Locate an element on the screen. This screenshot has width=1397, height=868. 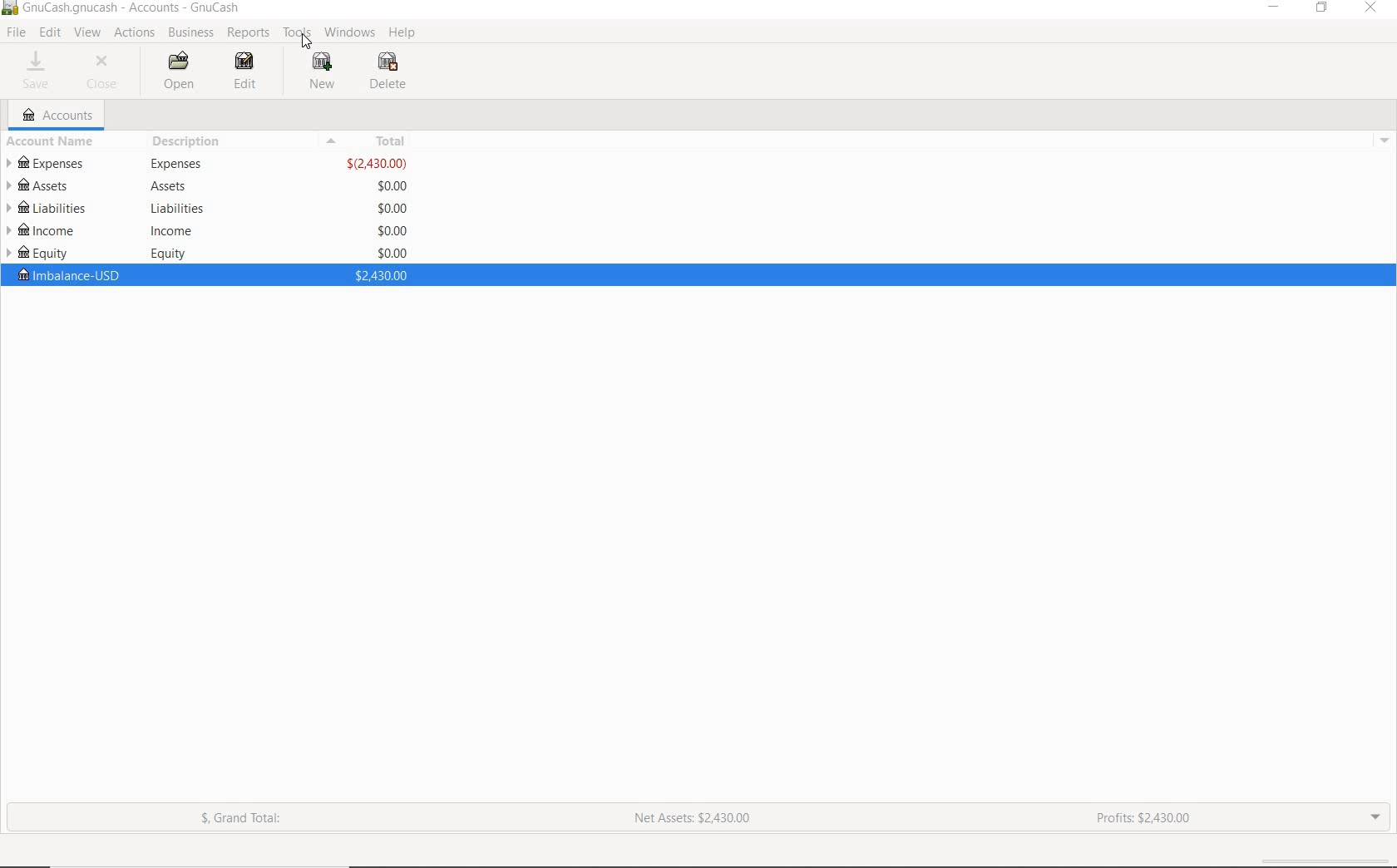
cursor is located at coordinates (309, 43).